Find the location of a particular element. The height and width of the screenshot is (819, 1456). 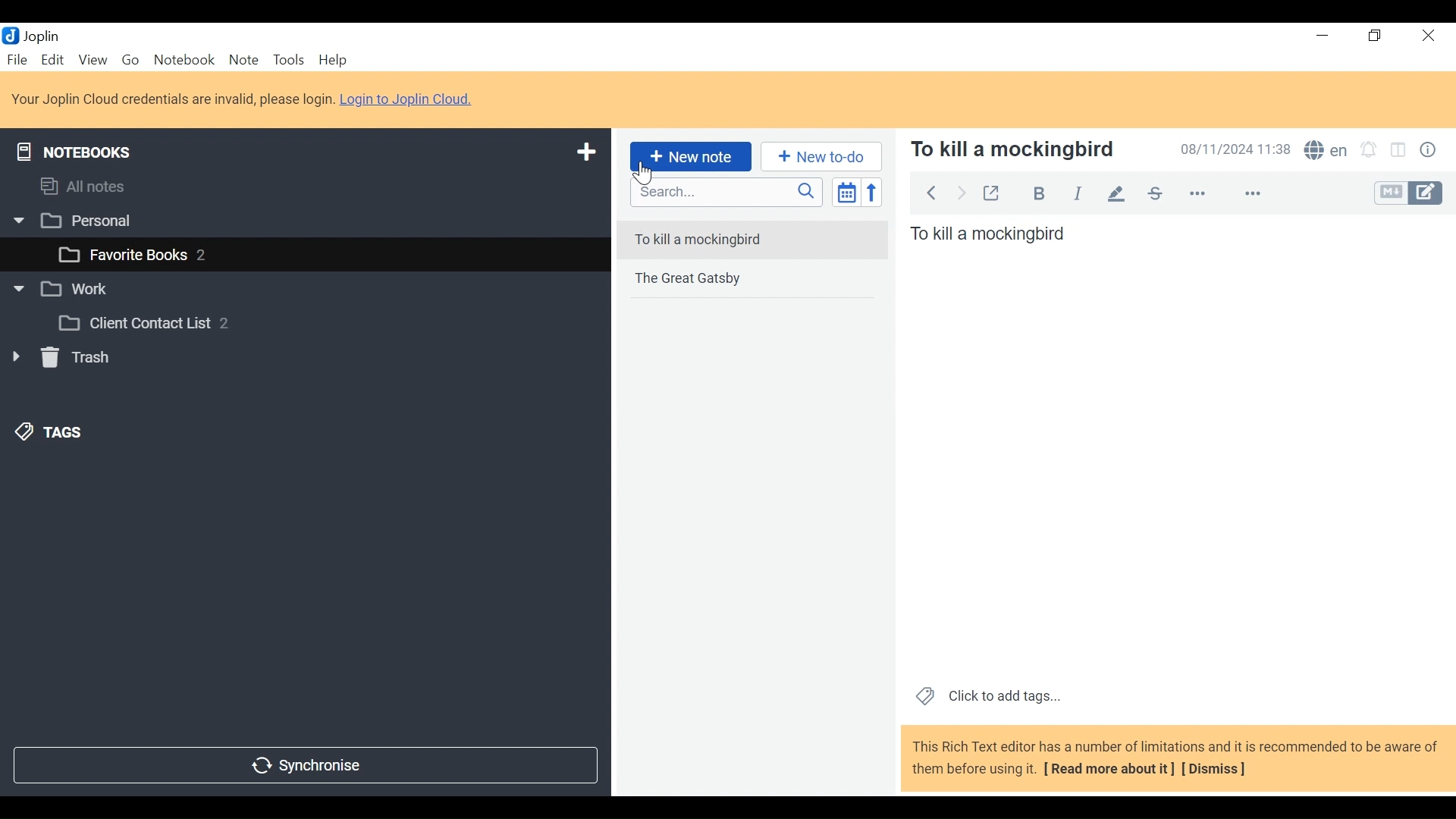

Set alarms is located at coordinates (1368, 152).